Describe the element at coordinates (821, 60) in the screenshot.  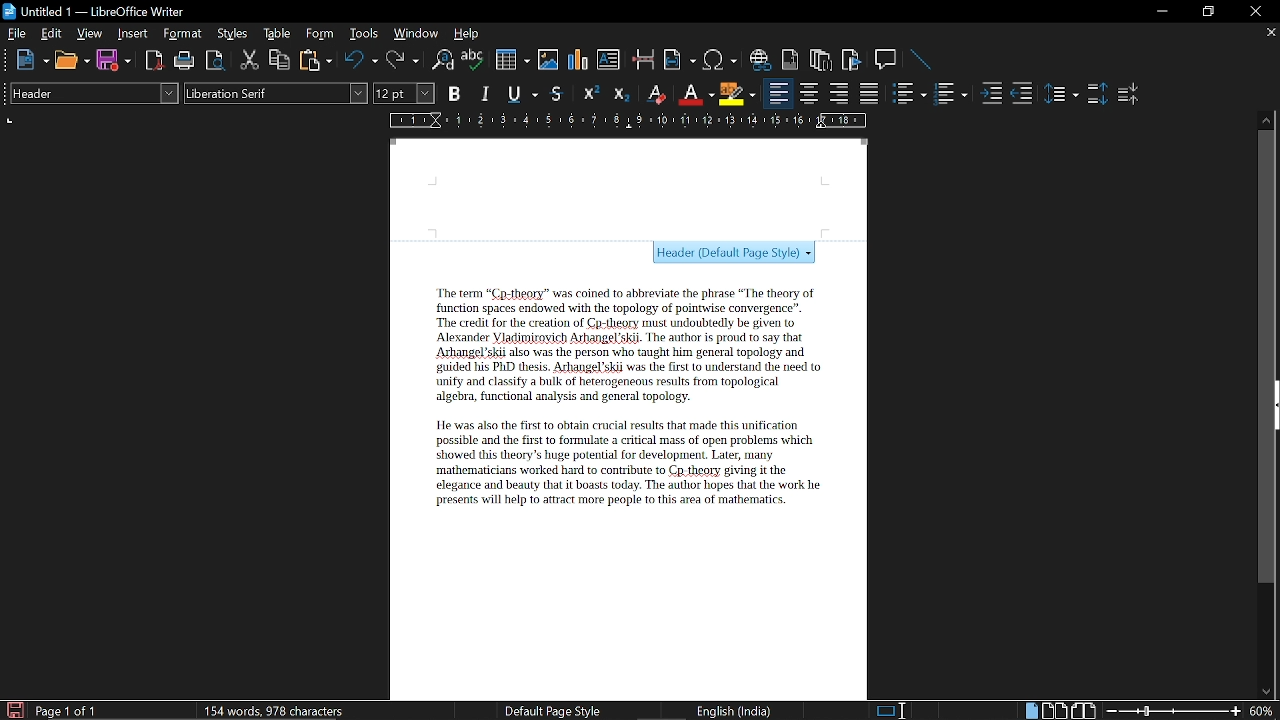
I see `Insert footnote` at that location.